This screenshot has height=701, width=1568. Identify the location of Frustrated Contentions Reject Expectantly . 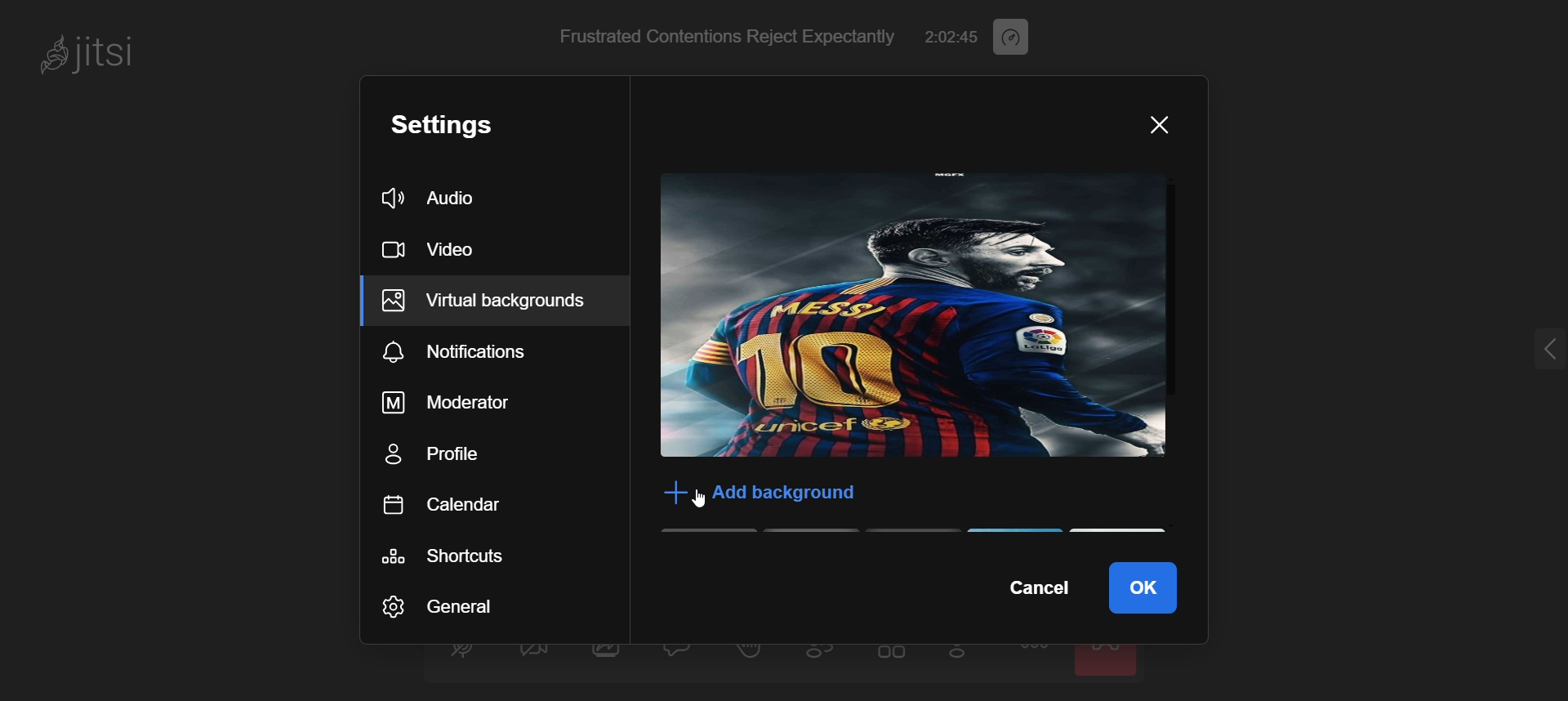
(723, 37).